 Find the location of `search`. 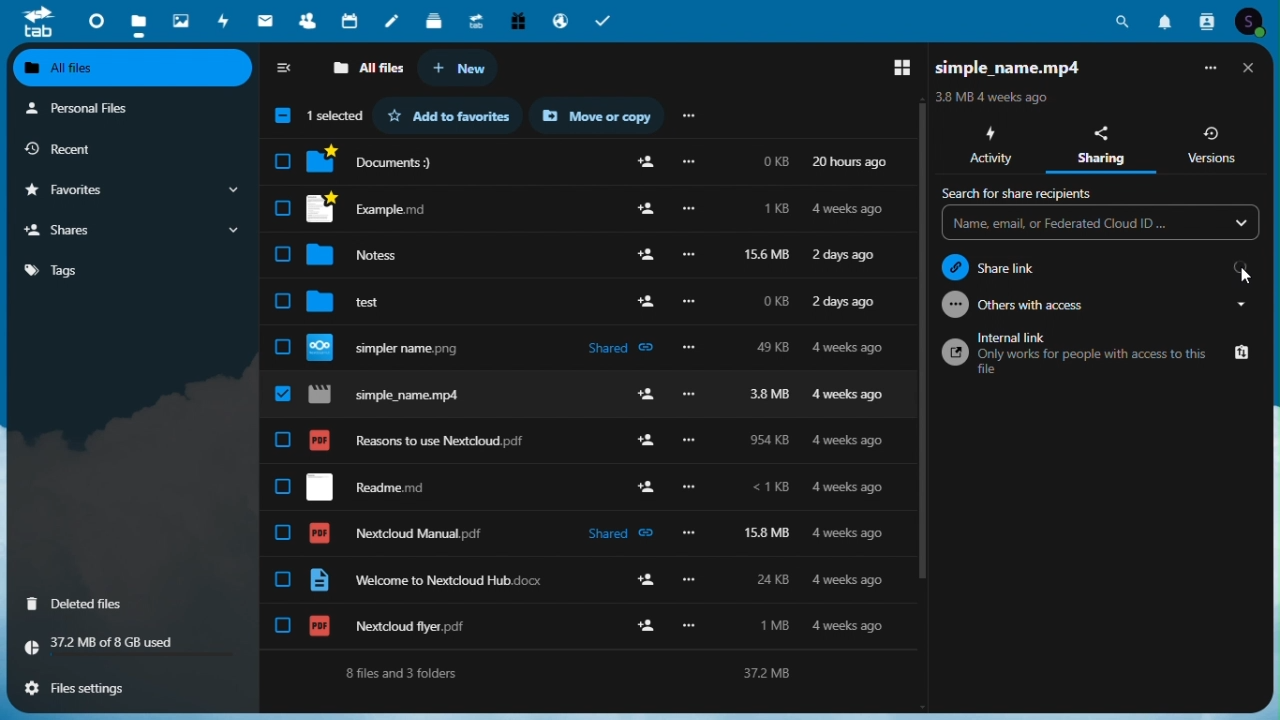

search is located at coordinates (1024, 194).